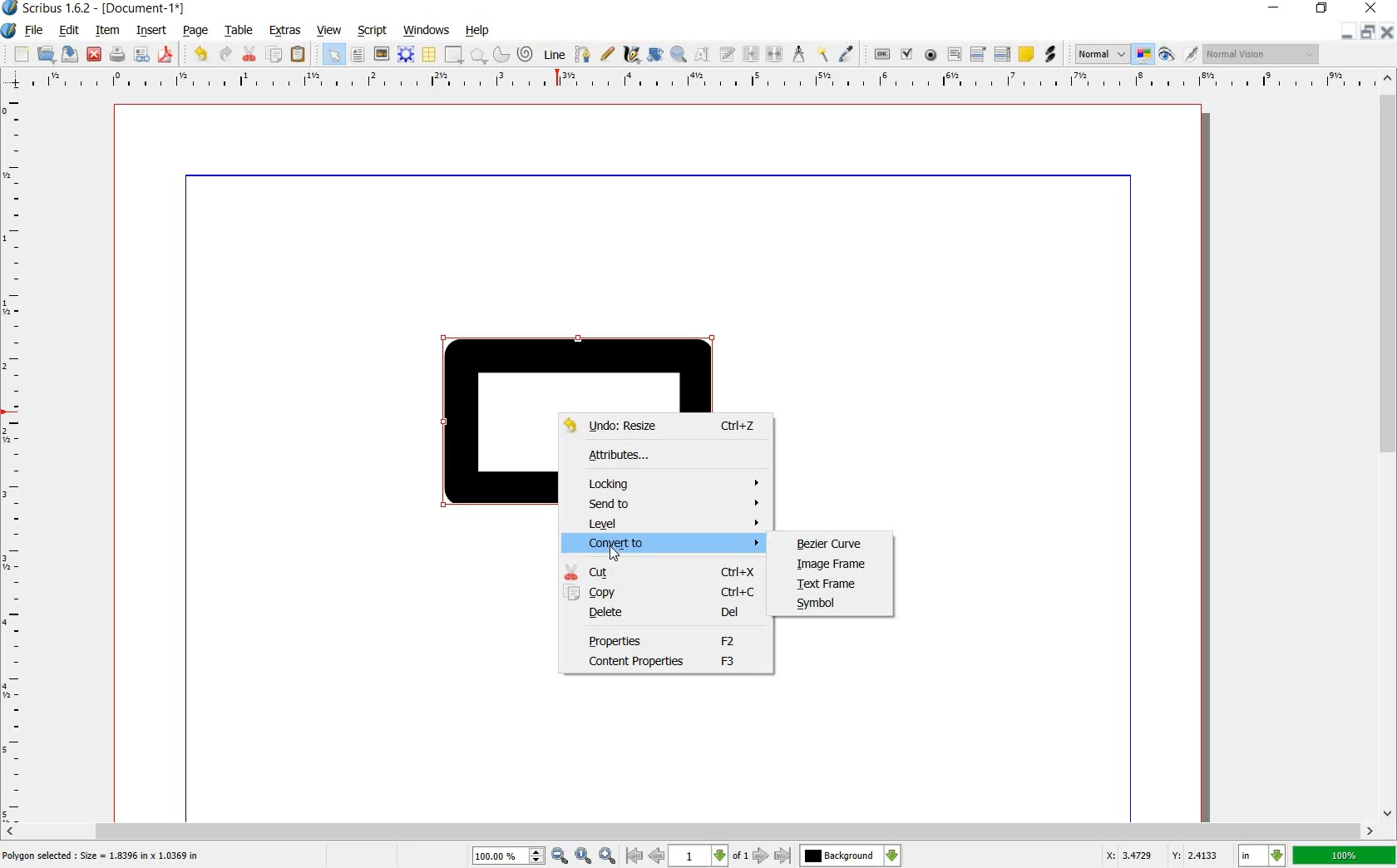 The height and width of the screenshot is (868, 1397). Describe the element at coordinates (248, 55) in the screenshot. I see `cut` at that location.